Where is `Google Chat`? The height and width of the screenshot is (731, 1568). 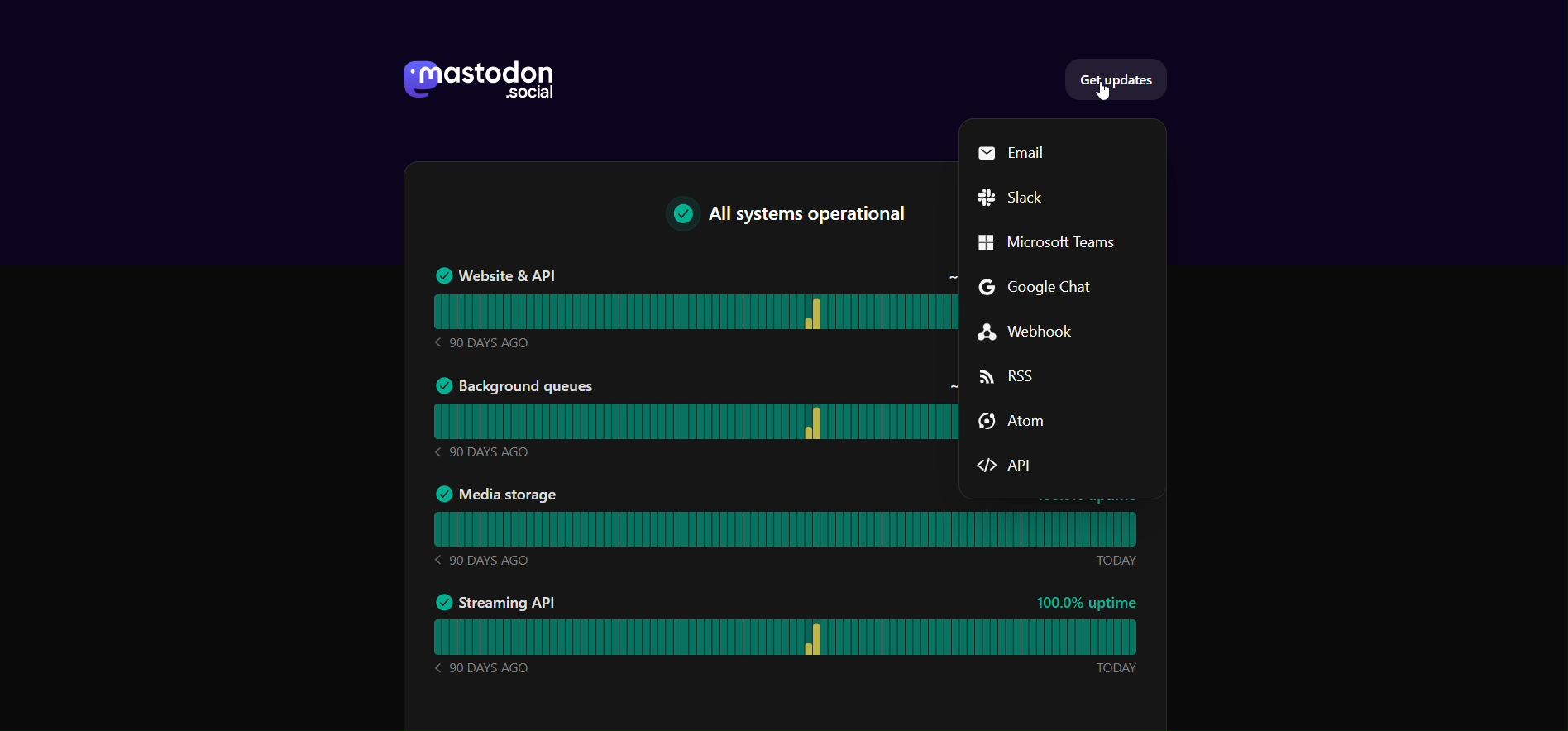 Google Chat is located at coordinates (1047, 291).